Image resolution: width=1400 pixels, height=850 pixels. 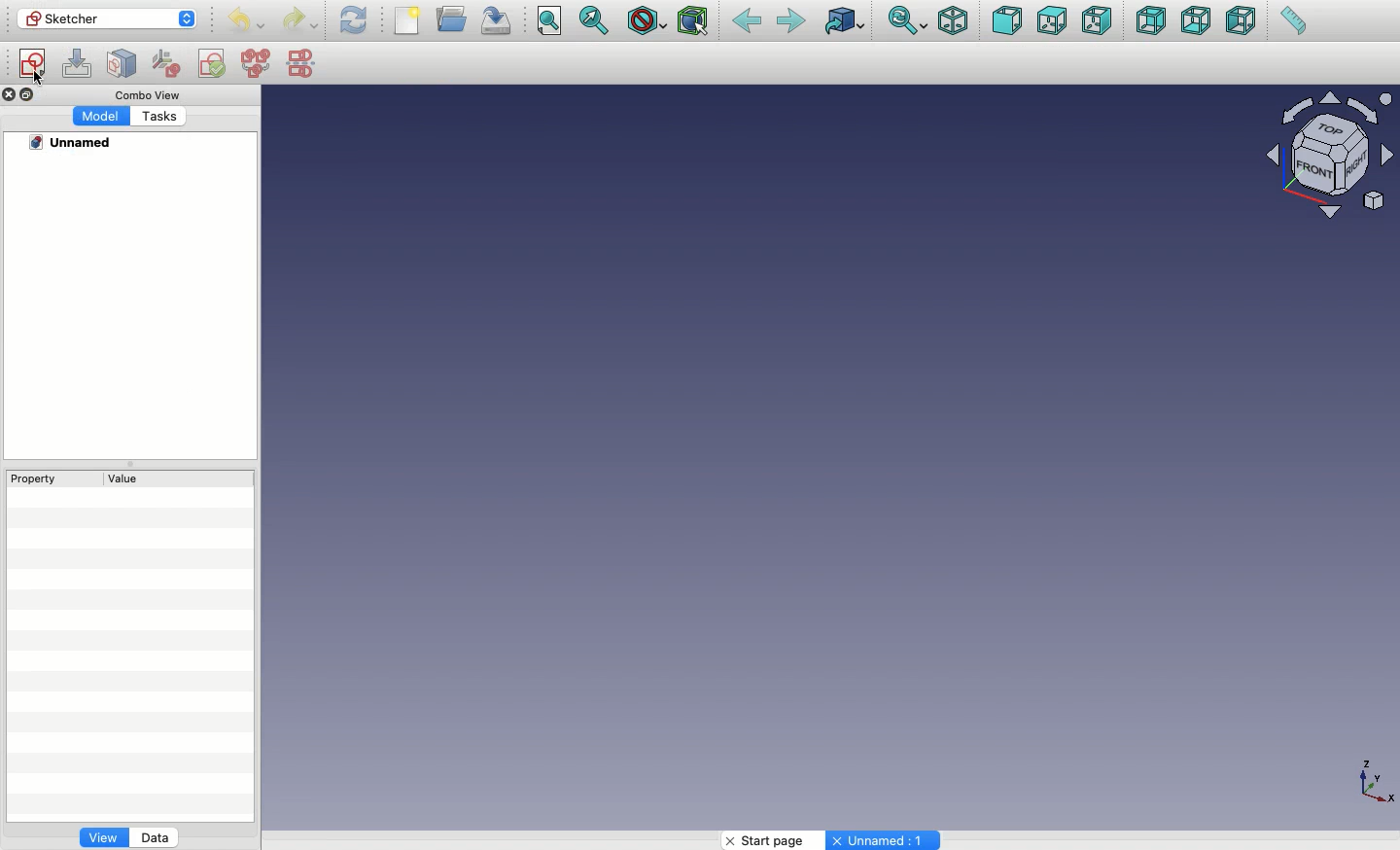 I want to click on Isometric, so click(x=953, y=20).